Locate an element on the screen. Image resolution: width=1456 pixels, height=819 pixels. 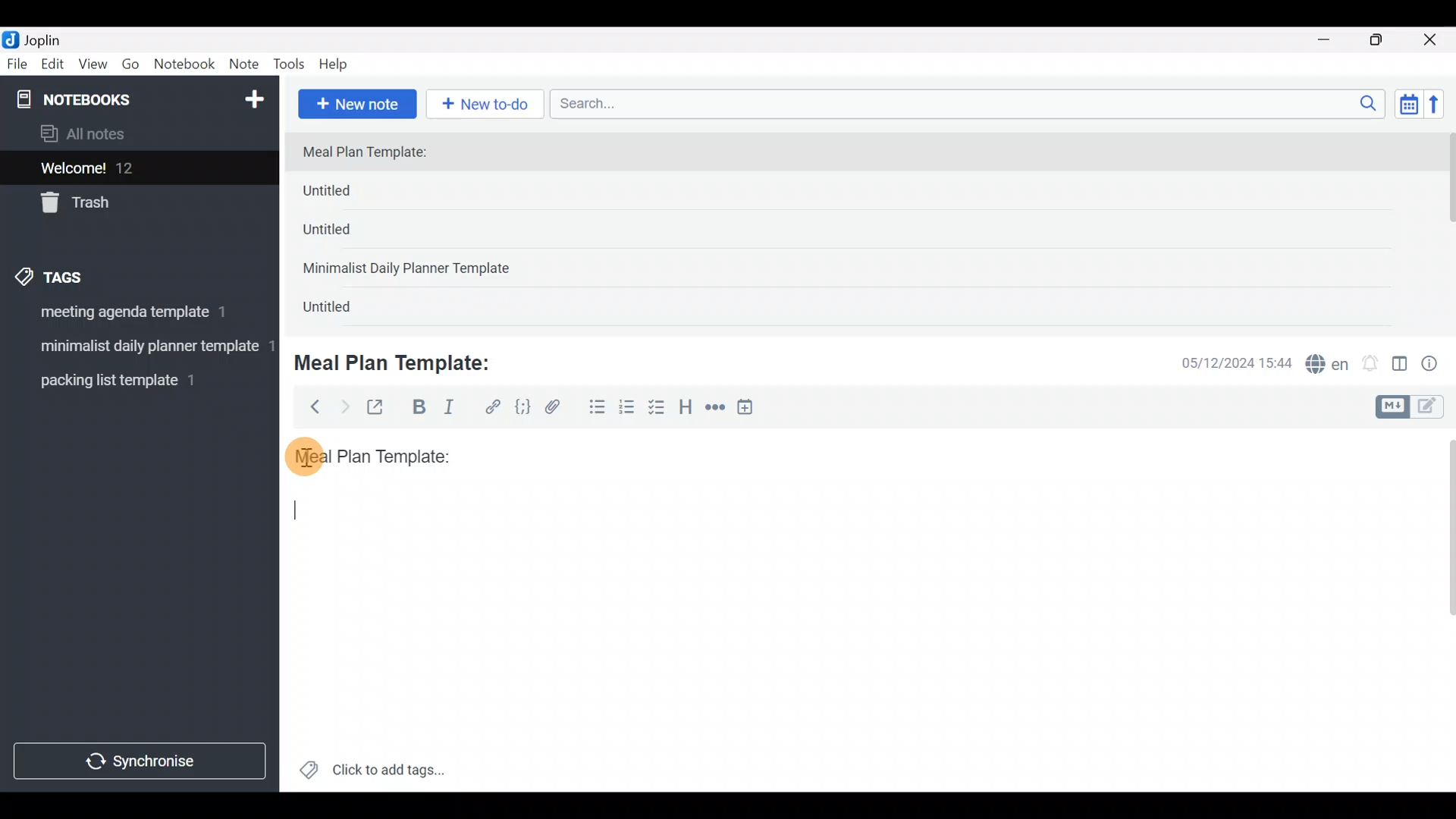
Toggle editor layout is located at coordinates (1401, 366).